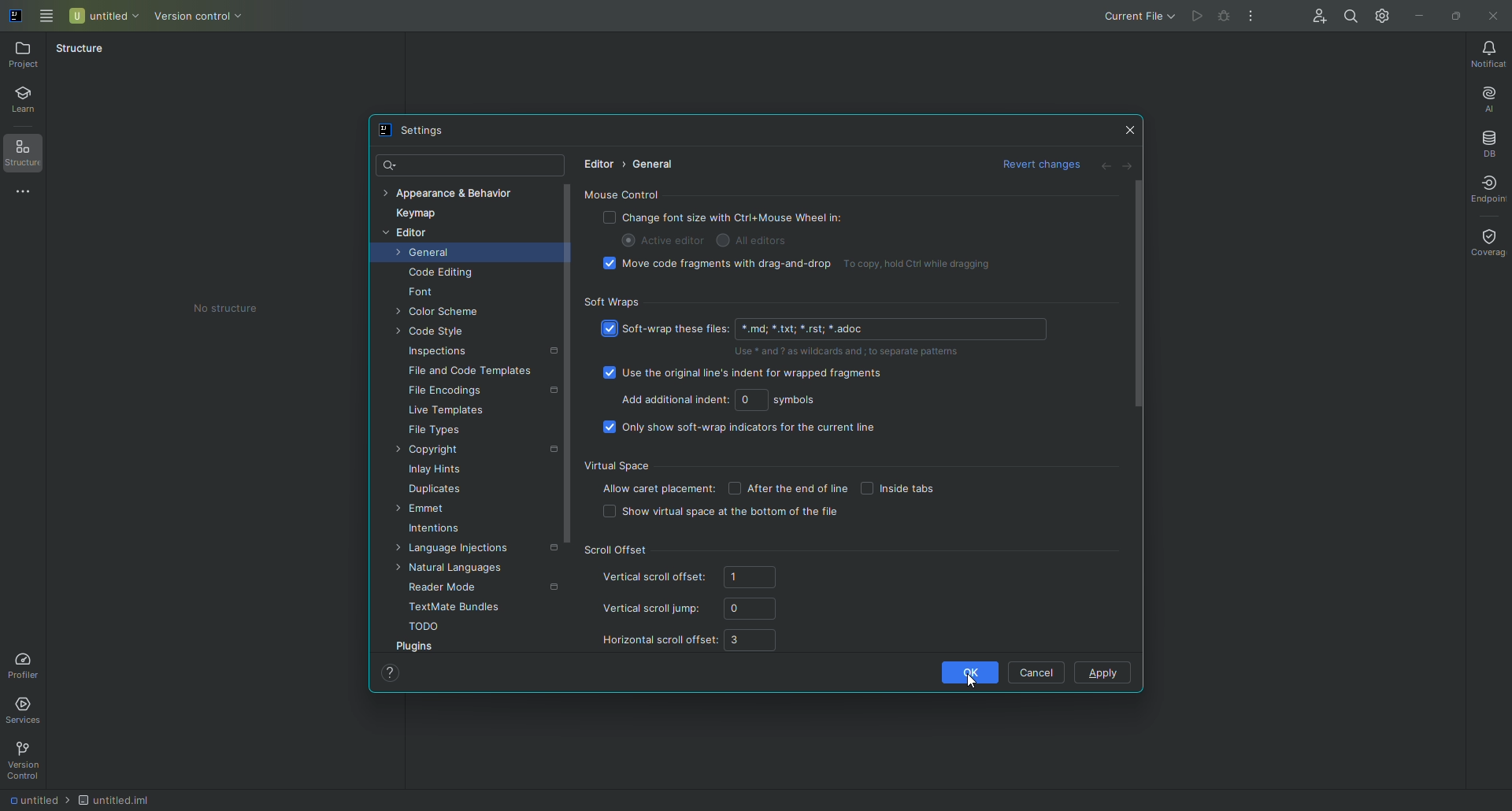 The height and width of the screenshot is (811, 1512). I want to click on Notifications, so click(1486, 52).